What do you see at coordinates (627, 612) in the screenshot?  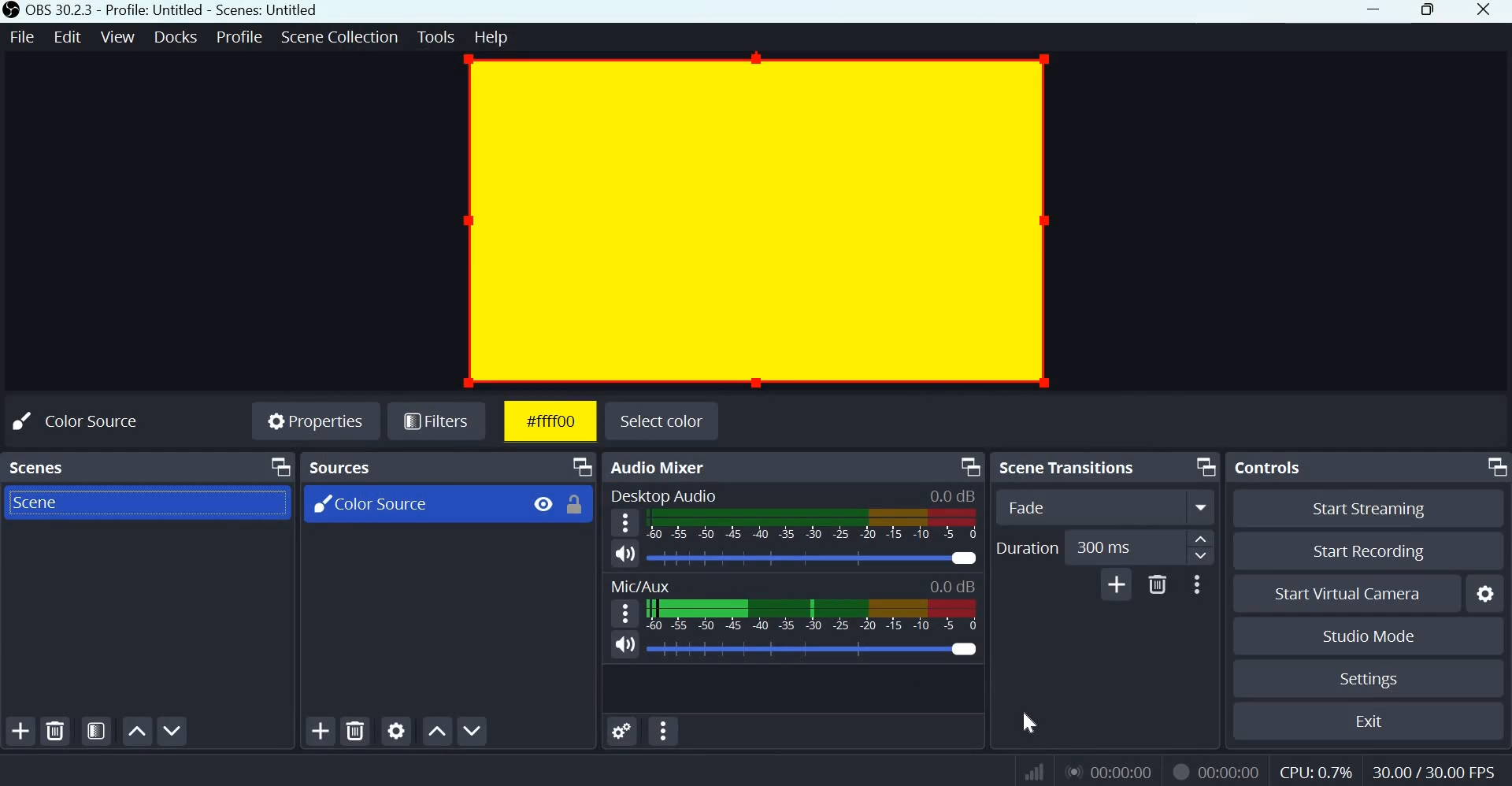 I see `Hamburger menu` at bounding box center [627, 612].